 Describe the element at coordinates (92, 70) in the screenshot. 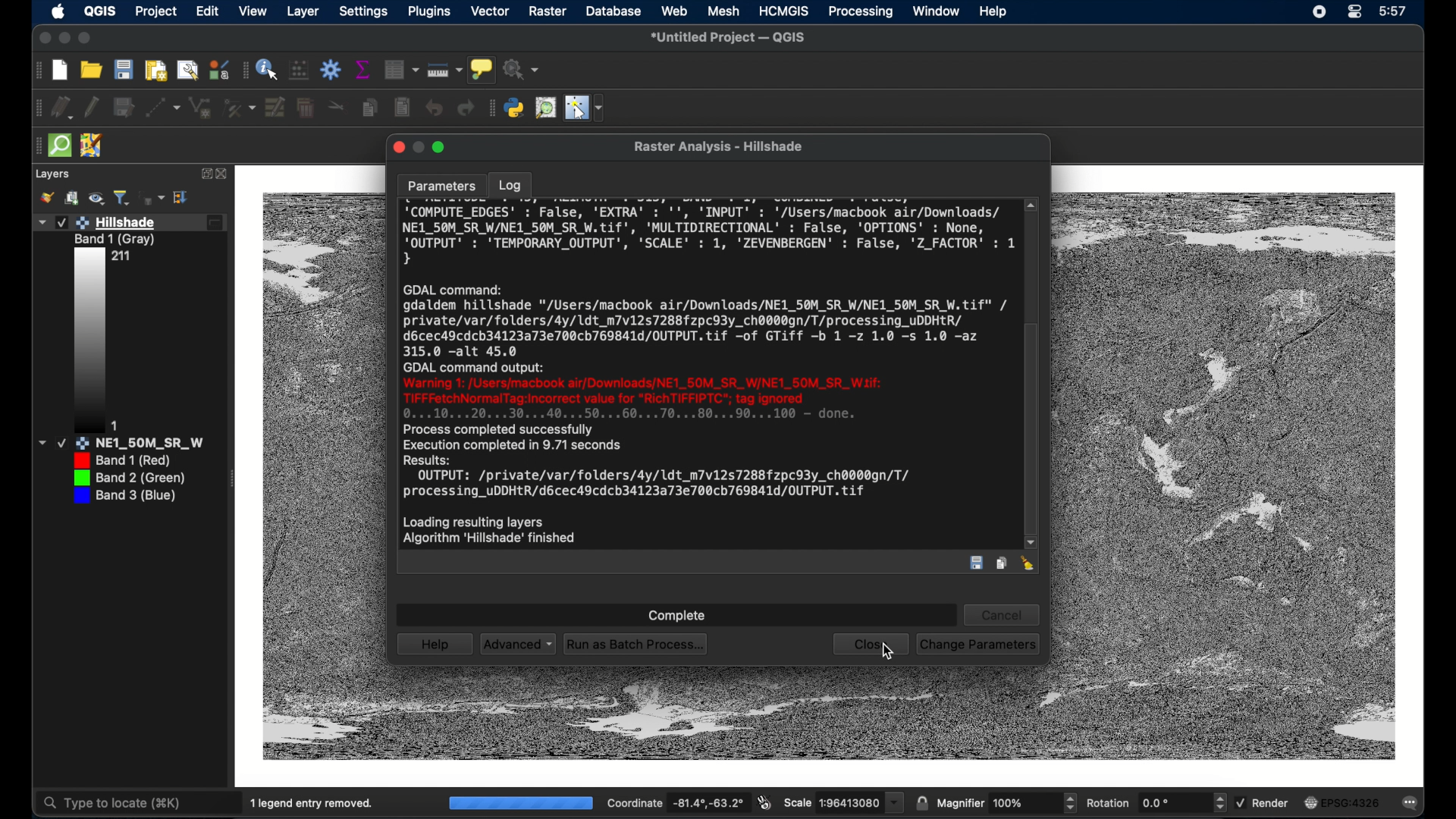

I see `open` at that location.